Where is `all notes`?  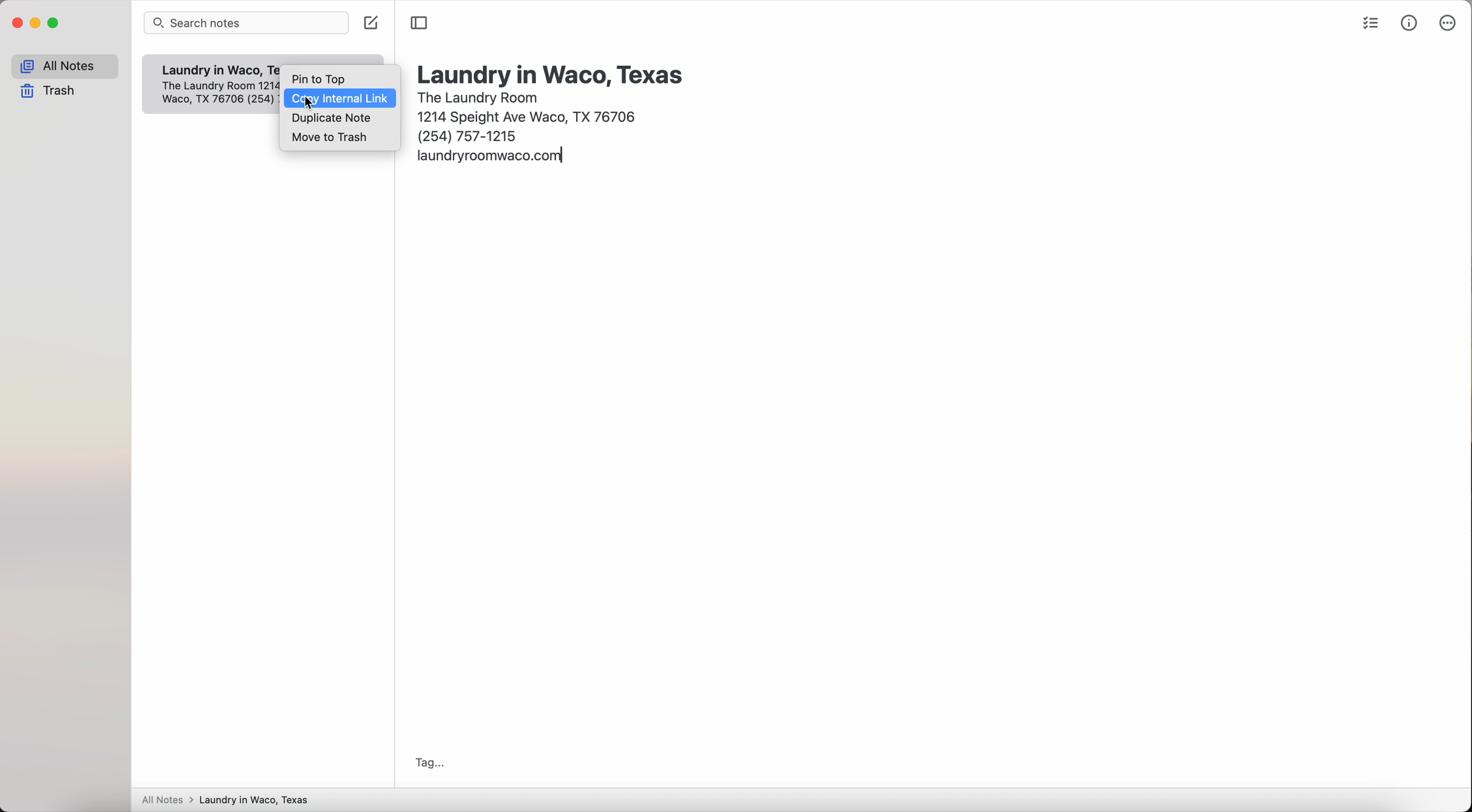
all notes is located at coordinates (65, 66).